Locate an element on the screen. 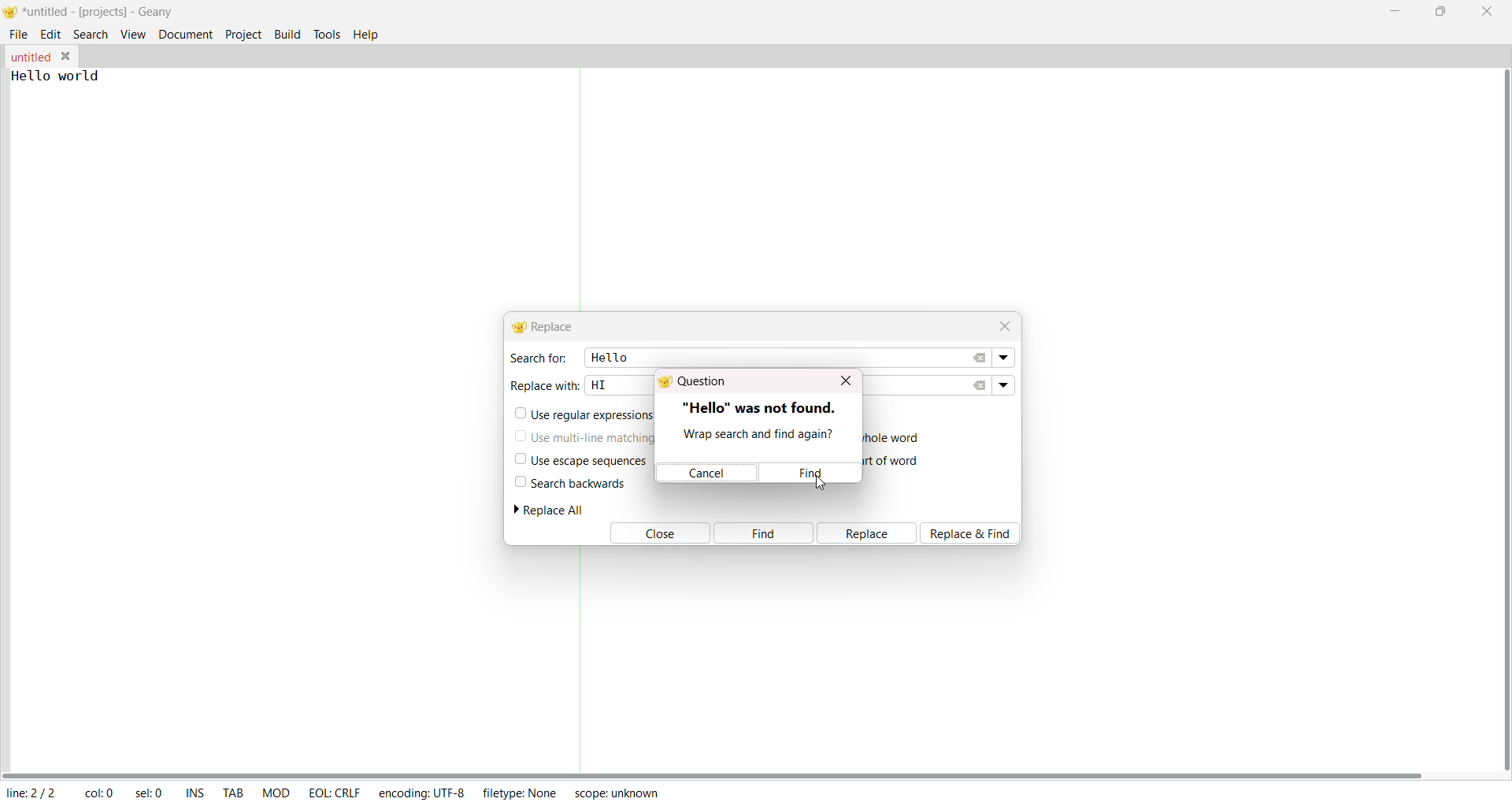  filetype: NONE is located at coordinates (520, 792).